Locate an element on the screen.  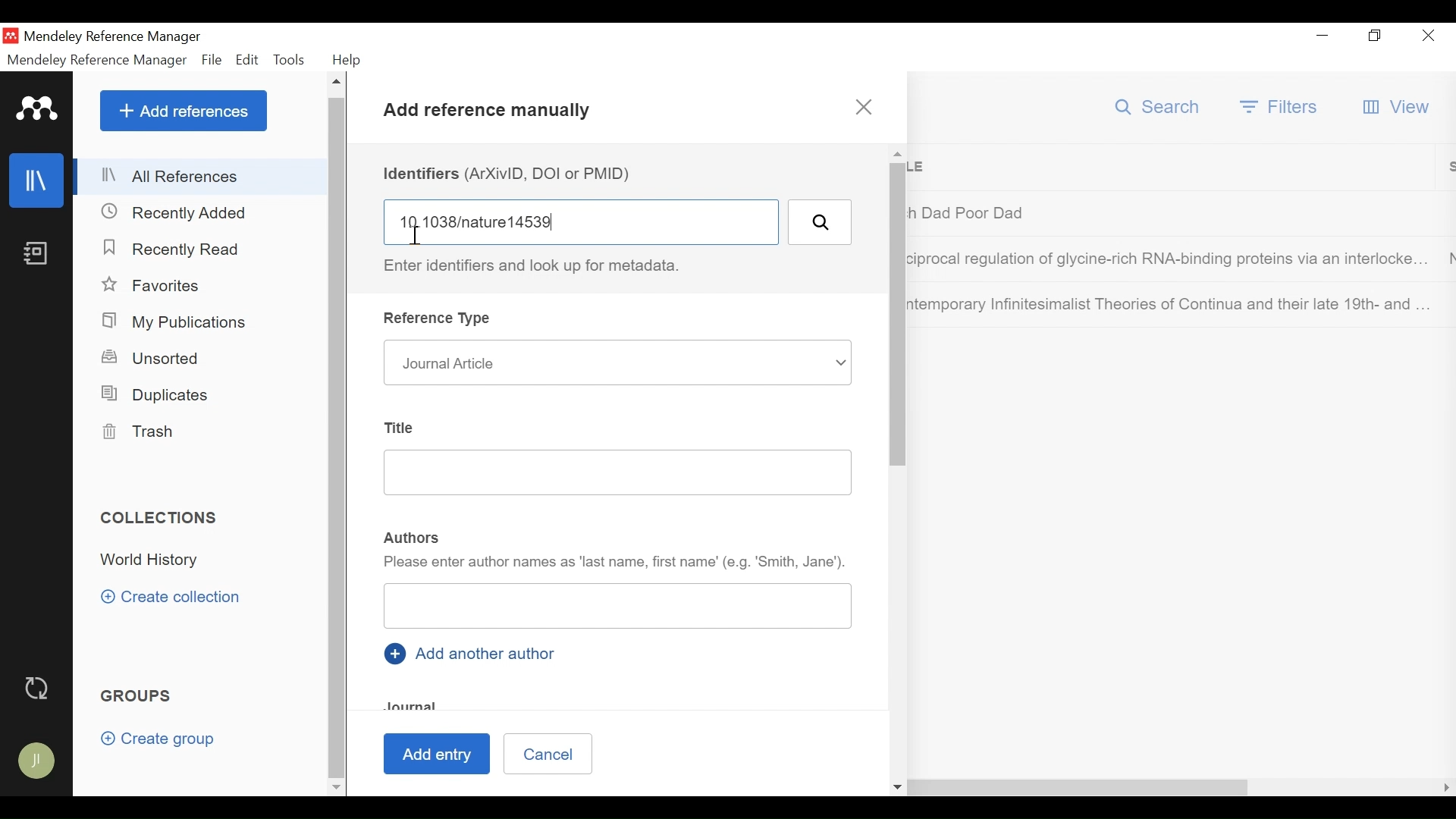
close is located at coordinates (867, 107).